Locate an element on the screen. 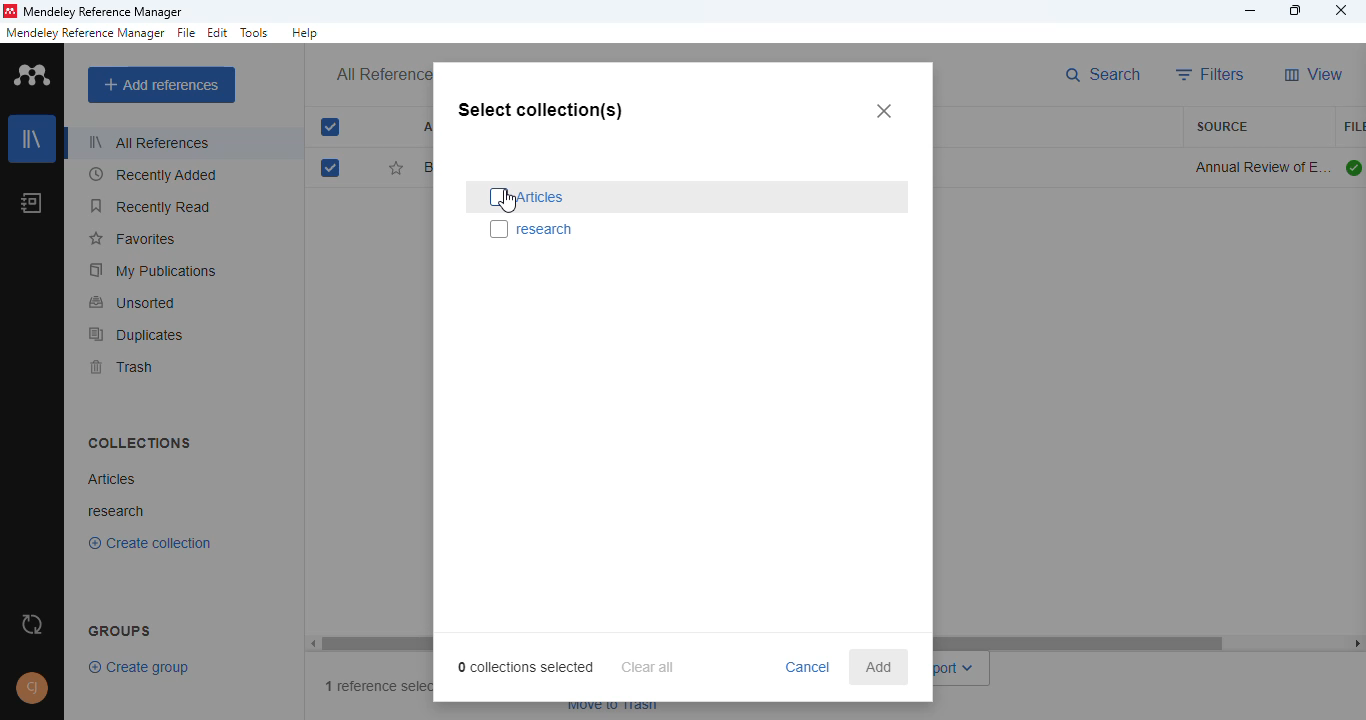 This screenshot has height=720, width=1366. select collection(s) is located at coordinates (540, 109).